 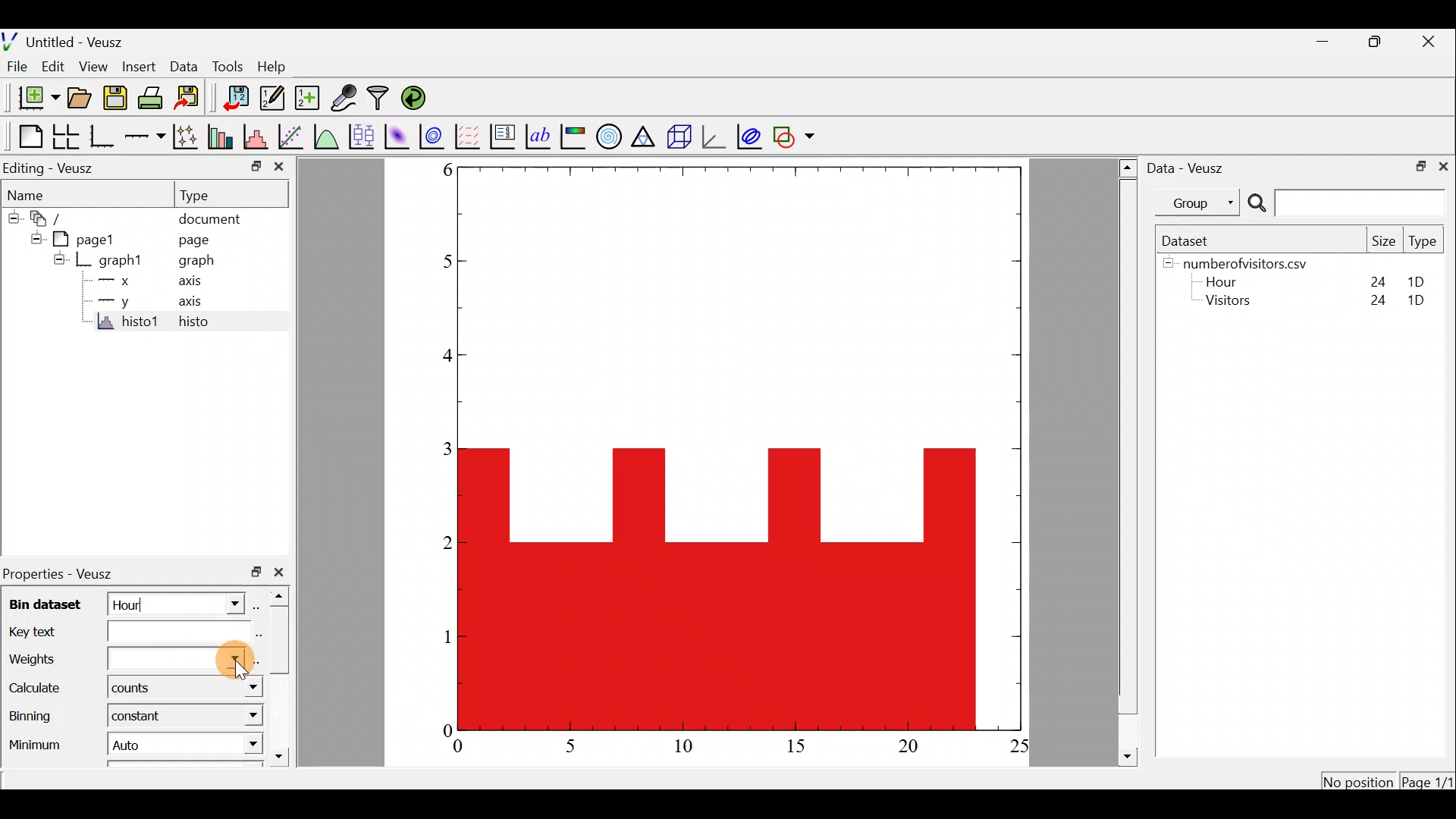 I want to click on plot key, so click(x=501, y=136).